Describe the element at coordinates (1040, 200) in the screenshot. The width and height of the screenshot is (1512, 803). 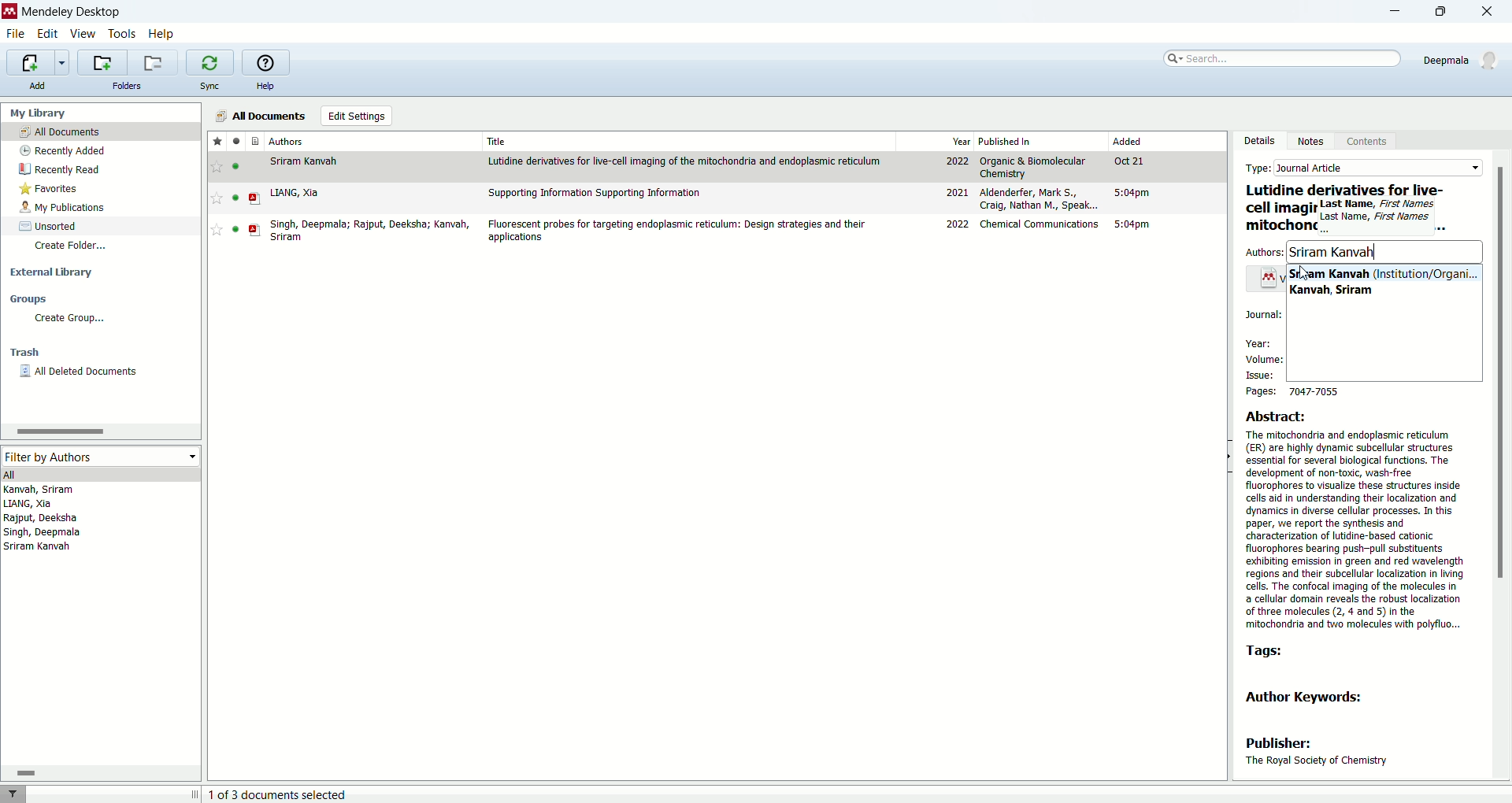
I see `Aldenderfer, Mark S., Craig, Nathan M., Speak...` at that location.